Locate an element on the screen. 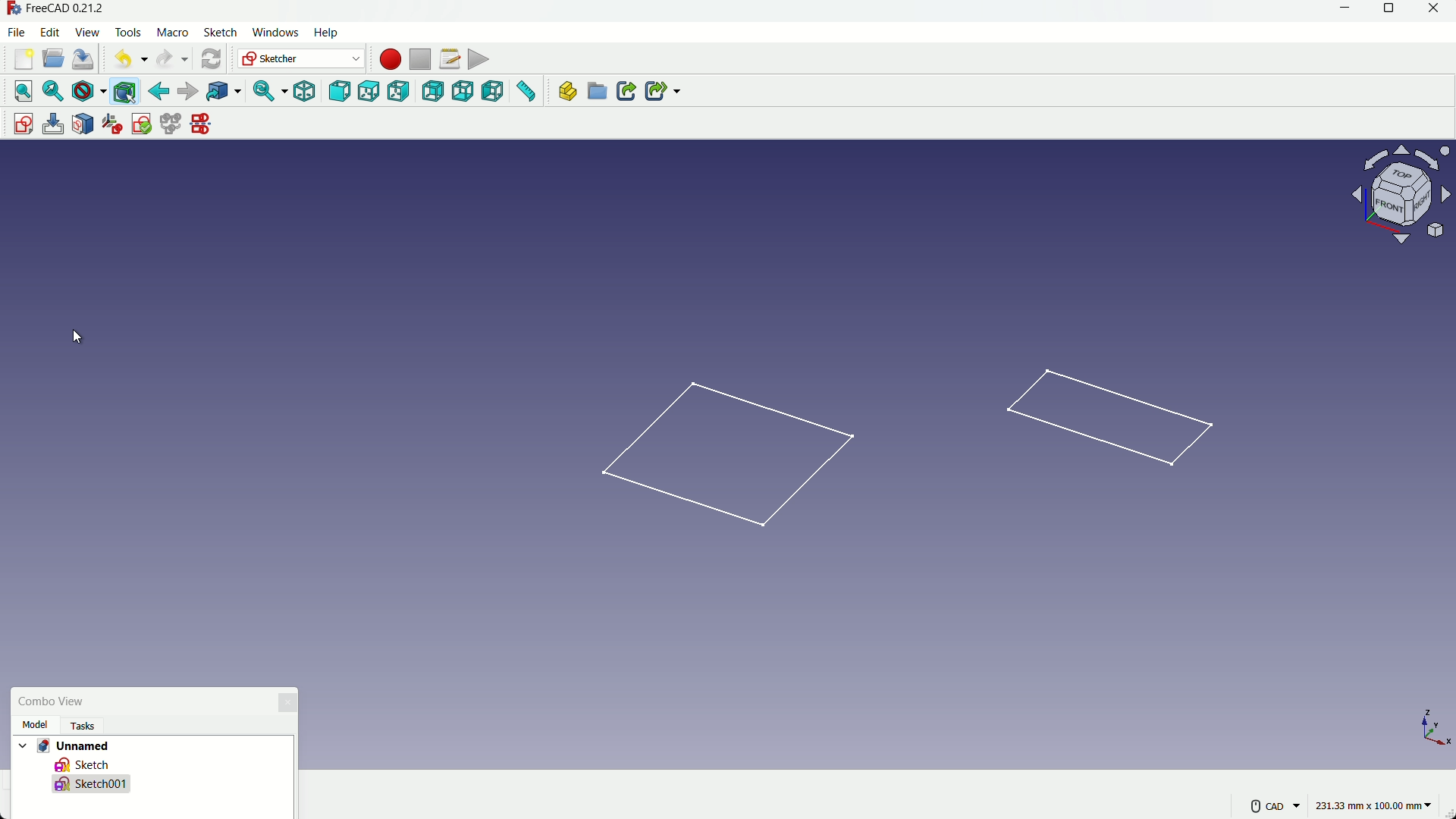 Image resolution: width=1456 pixels, height=819 pixels. switch workbenches is located at coordinates (300, 58).